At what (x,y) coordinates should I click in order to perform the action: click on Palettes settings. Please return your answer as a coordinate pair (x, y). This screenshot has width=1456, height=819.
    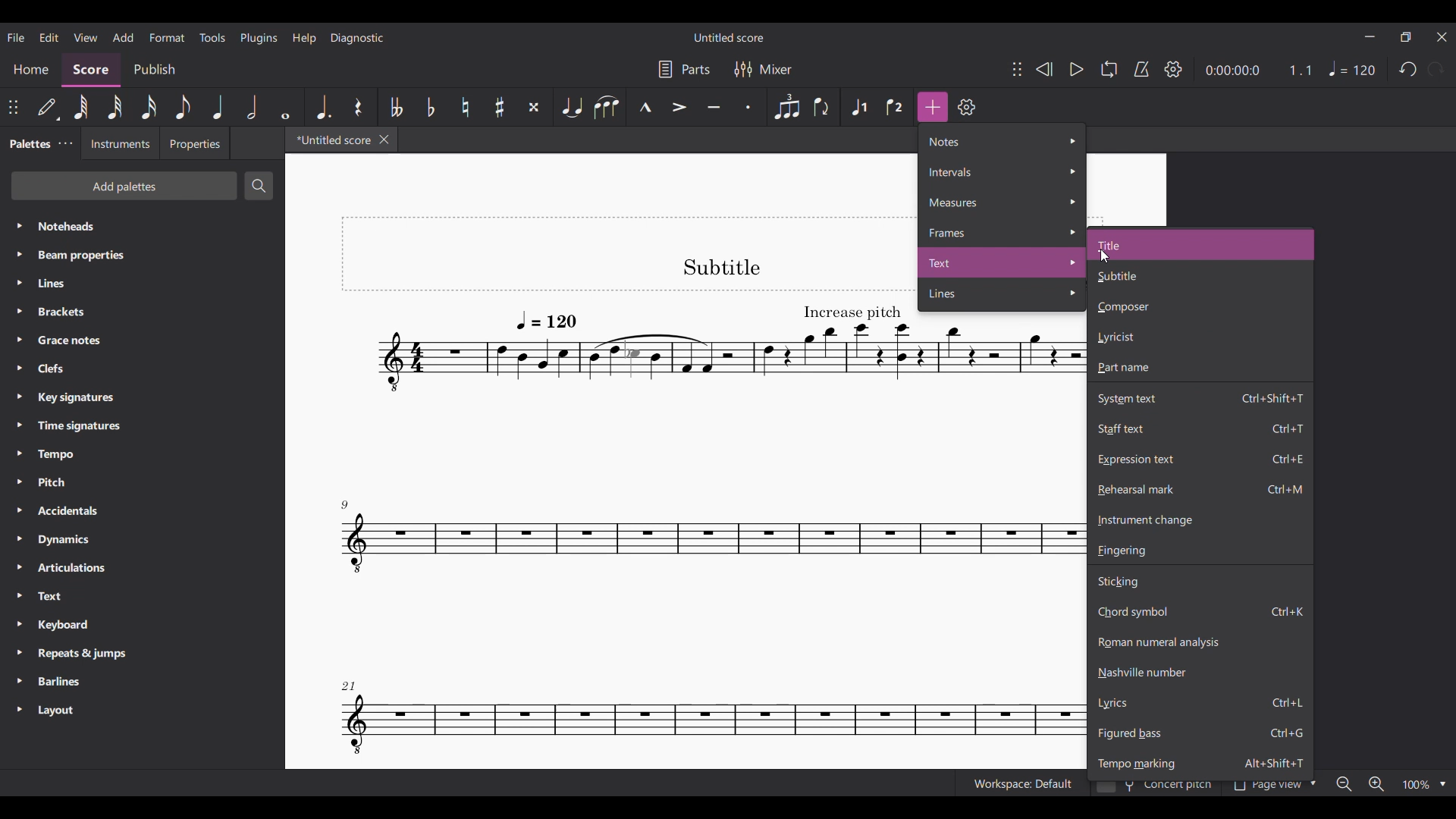
    Looking at the image, I should click on (66, 143).